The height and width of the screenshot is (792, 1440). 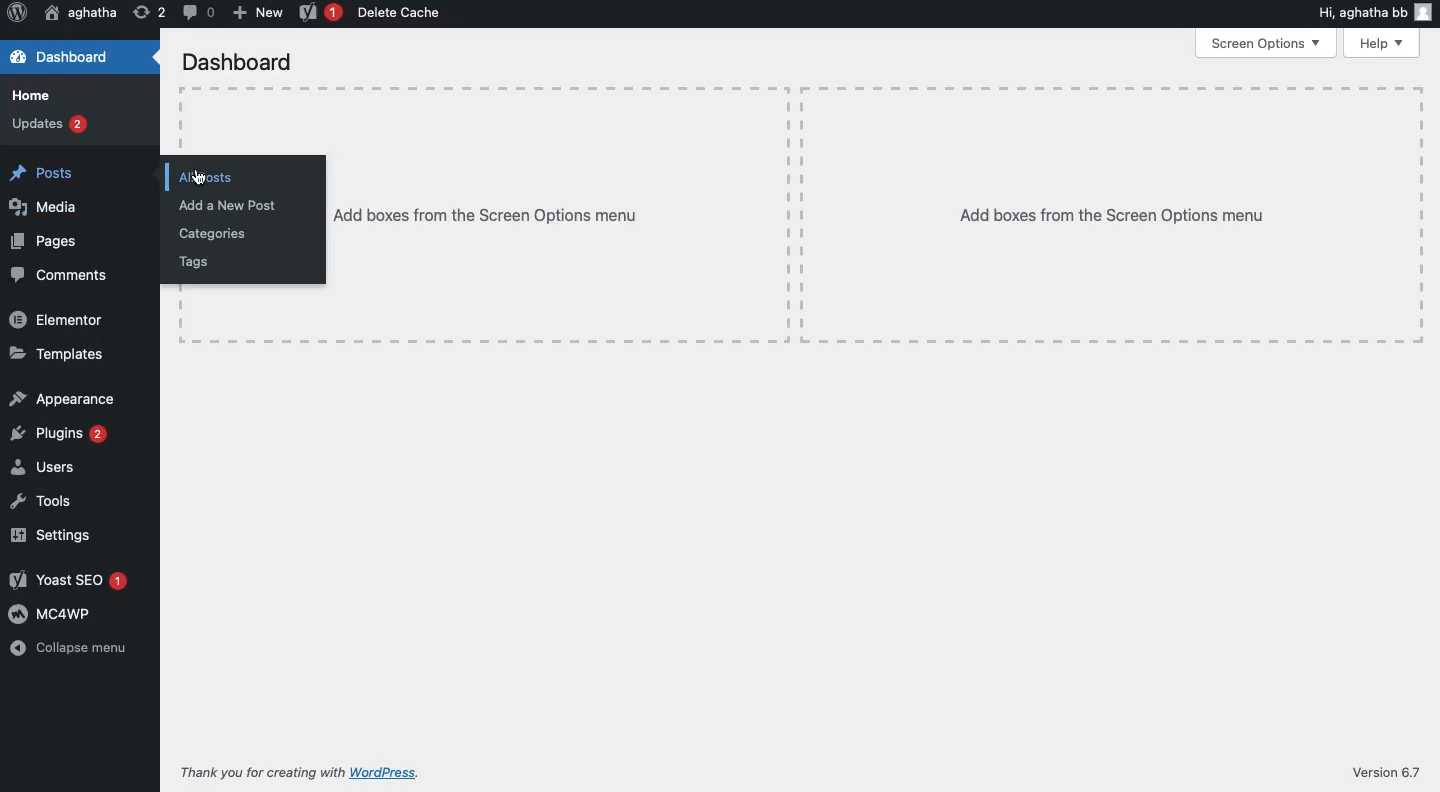 What do you see at coordinates (196, 12) in the screenshot?
I see `Messages` at bounding box center [196, 12].